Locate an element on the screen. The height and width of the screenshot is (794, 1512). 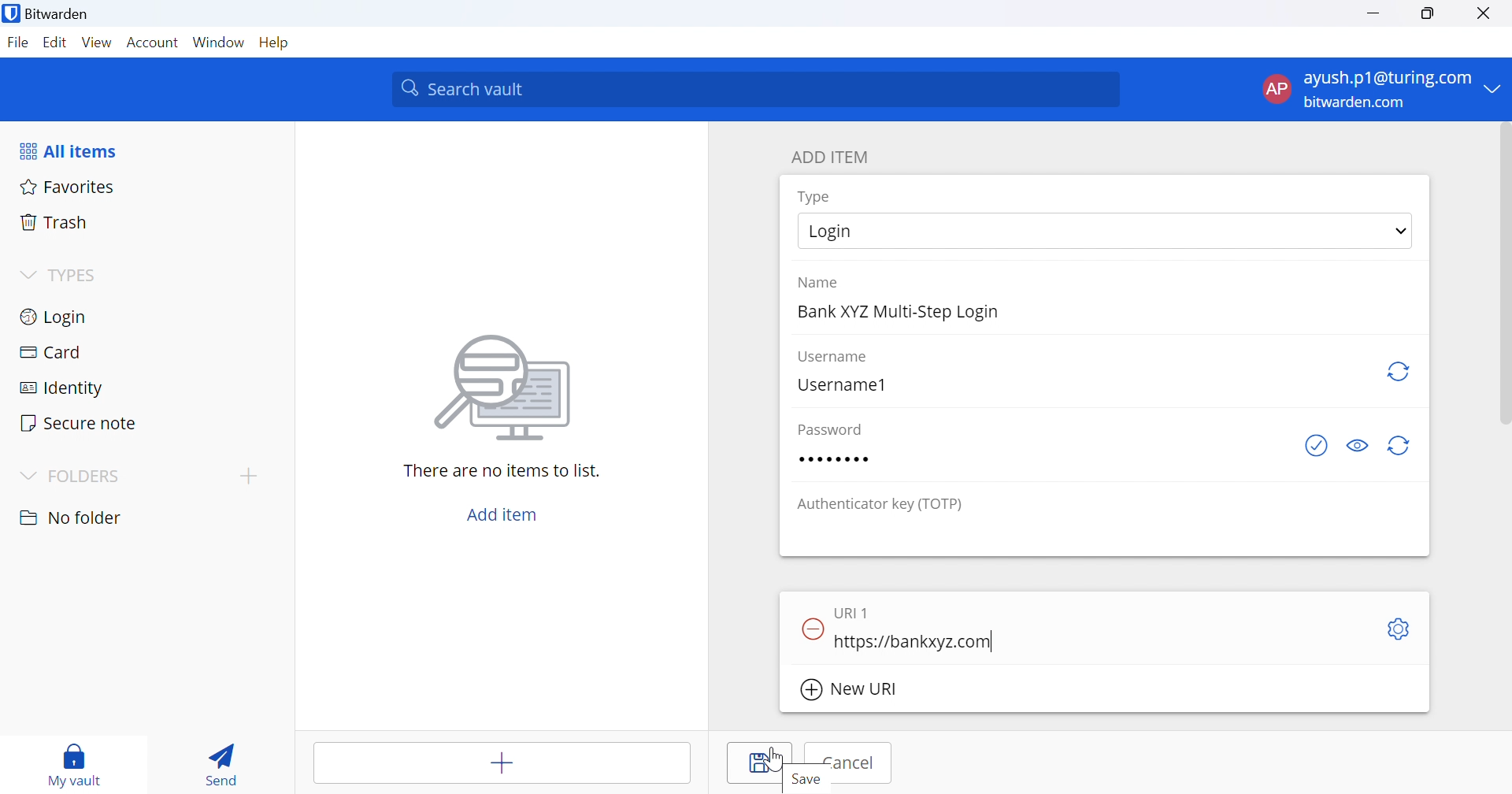
URI 1 is located at coordinates (854, 610).